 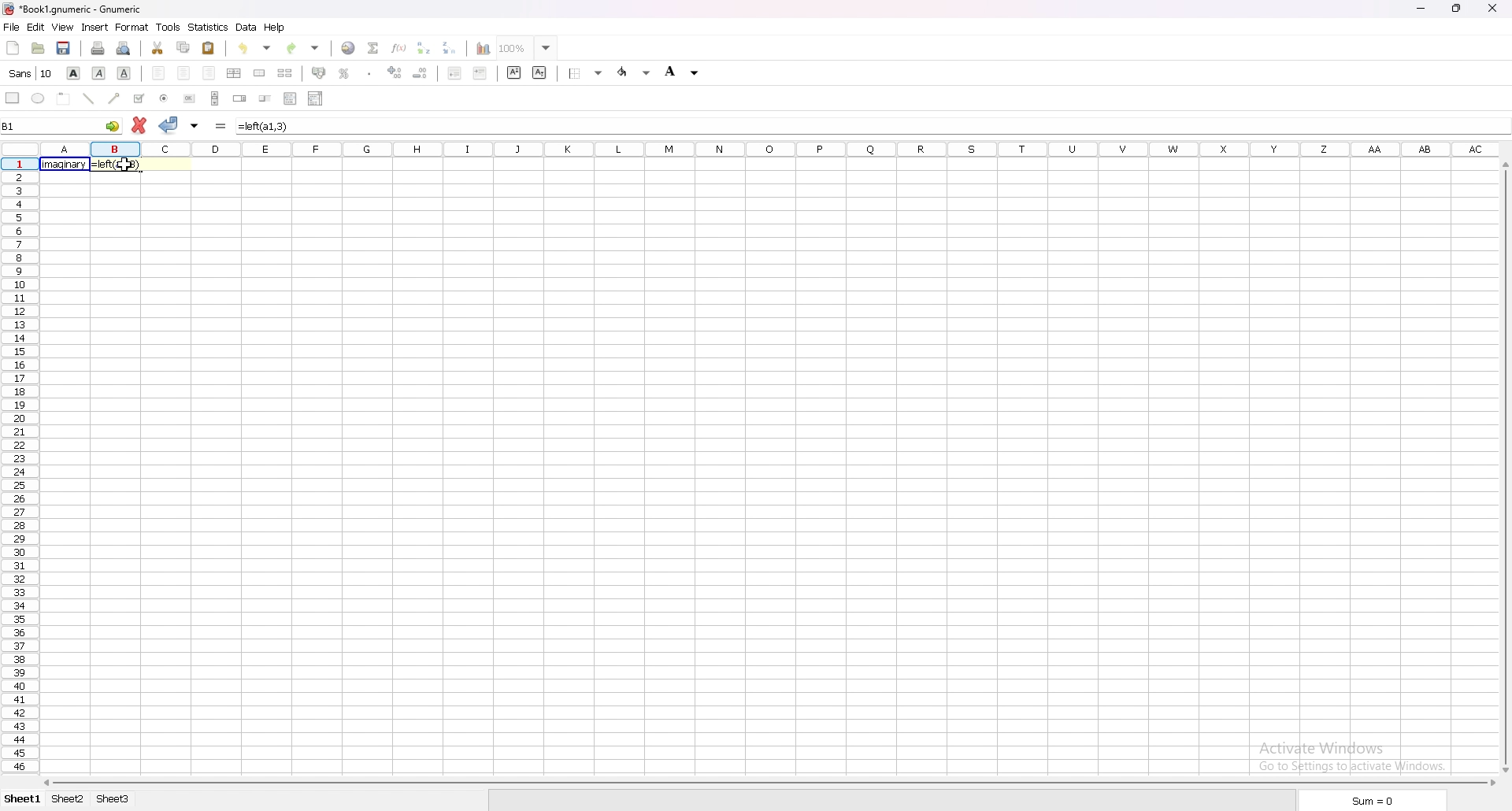 I want to click on left align, so click(x=159, y=74).